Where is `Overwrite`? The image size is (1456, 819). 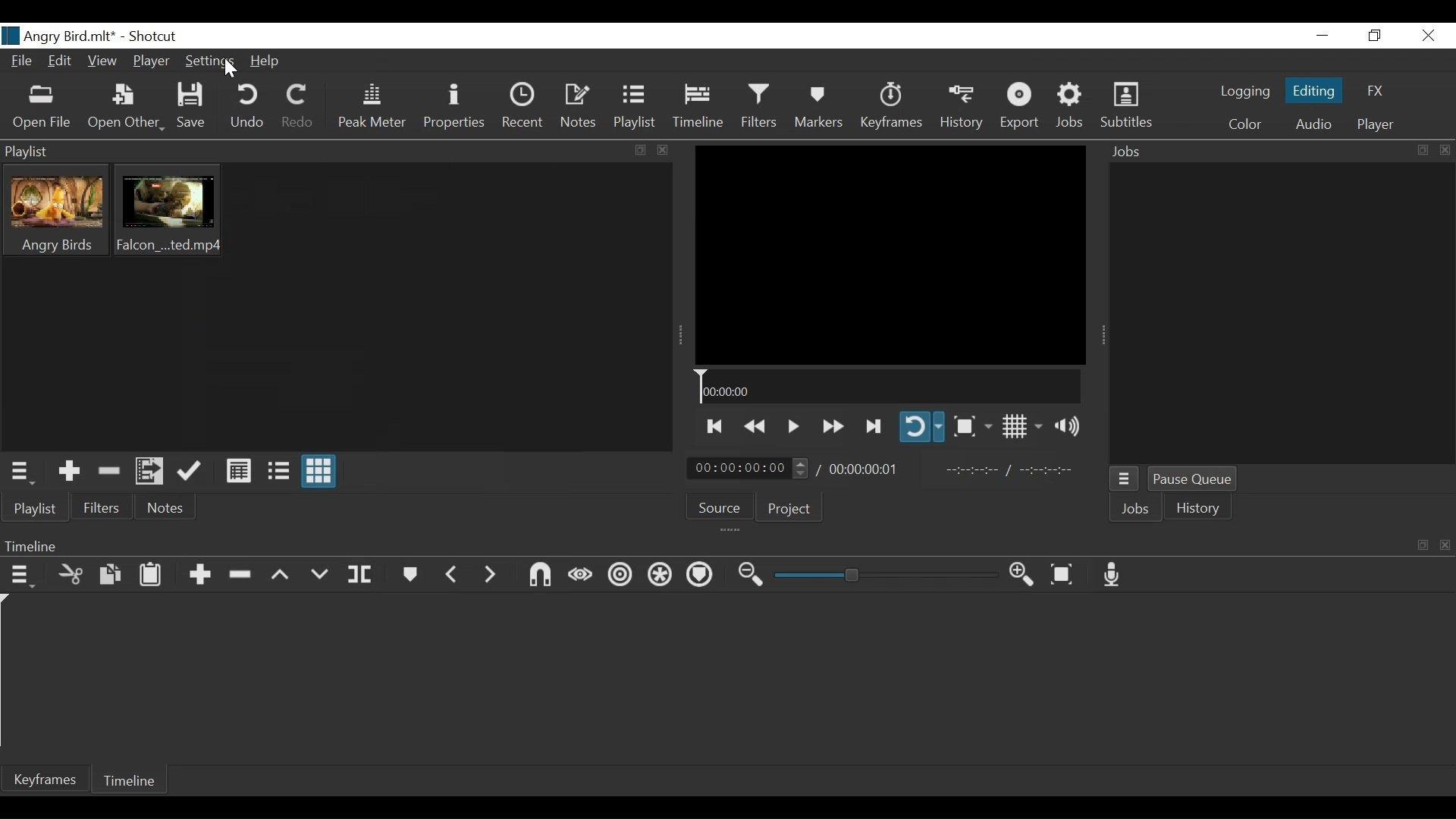 Overwrite is located at coordinates (321, 576).